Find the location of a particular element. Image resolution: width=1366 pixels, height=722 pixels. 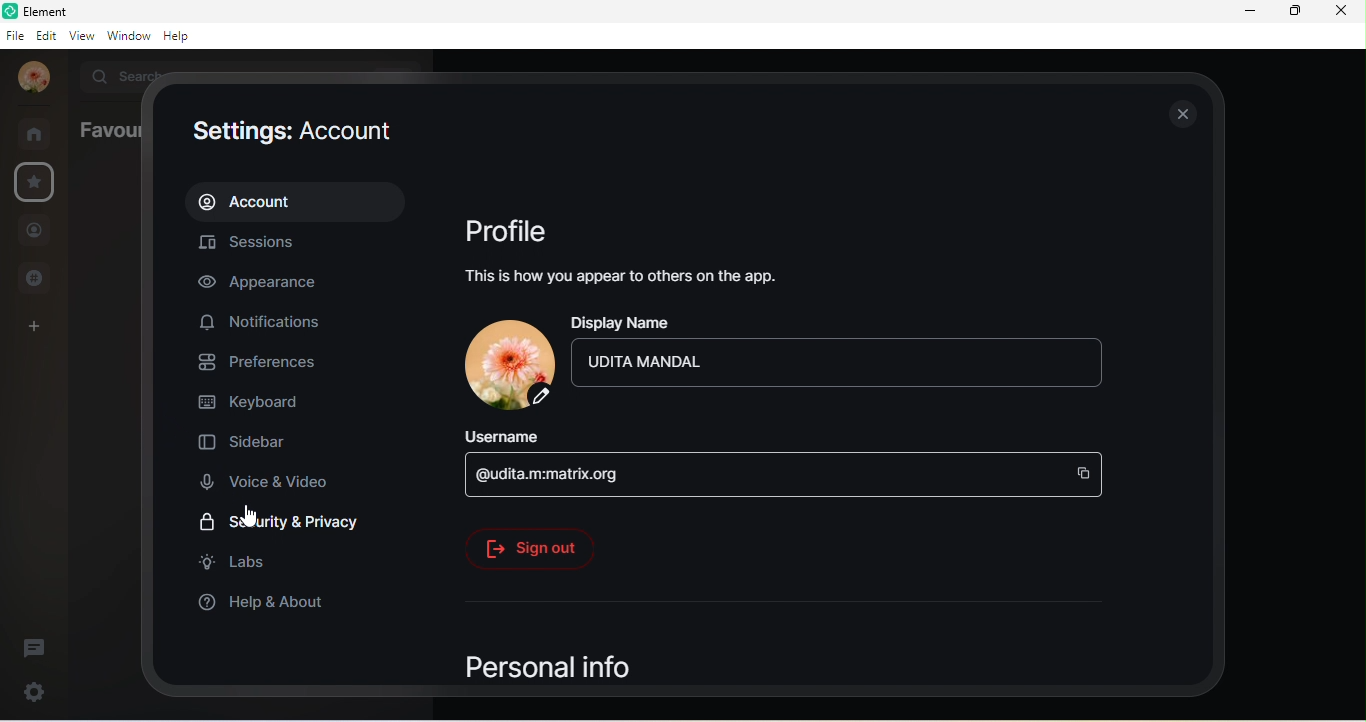

account image is located at coordinates (507, 363).